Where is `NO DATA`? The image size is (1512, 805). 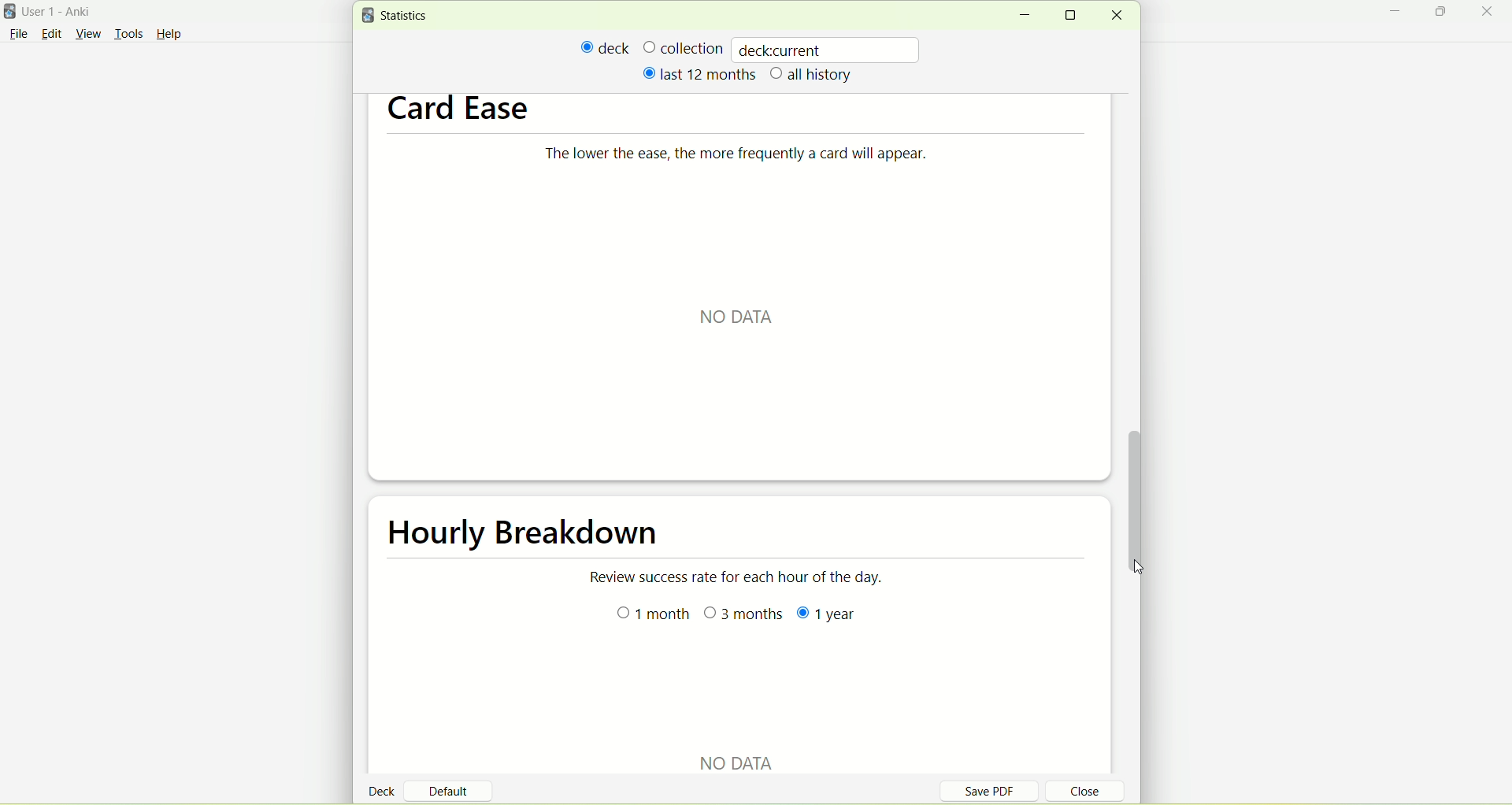 NO DATA is located at coordinates (741, 317).